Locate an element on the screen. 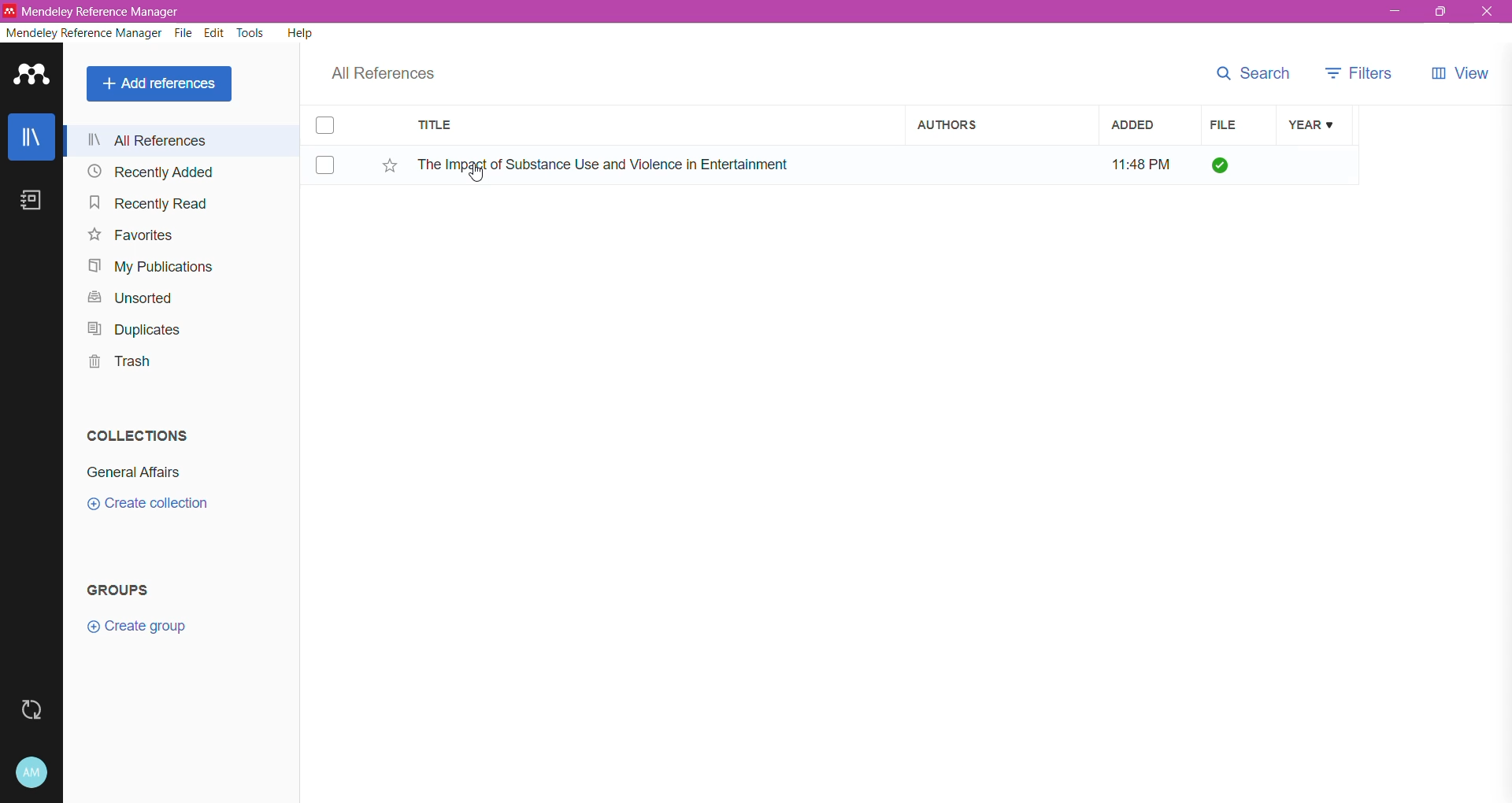  Click to Create Group is located at coordinates (140, 625).